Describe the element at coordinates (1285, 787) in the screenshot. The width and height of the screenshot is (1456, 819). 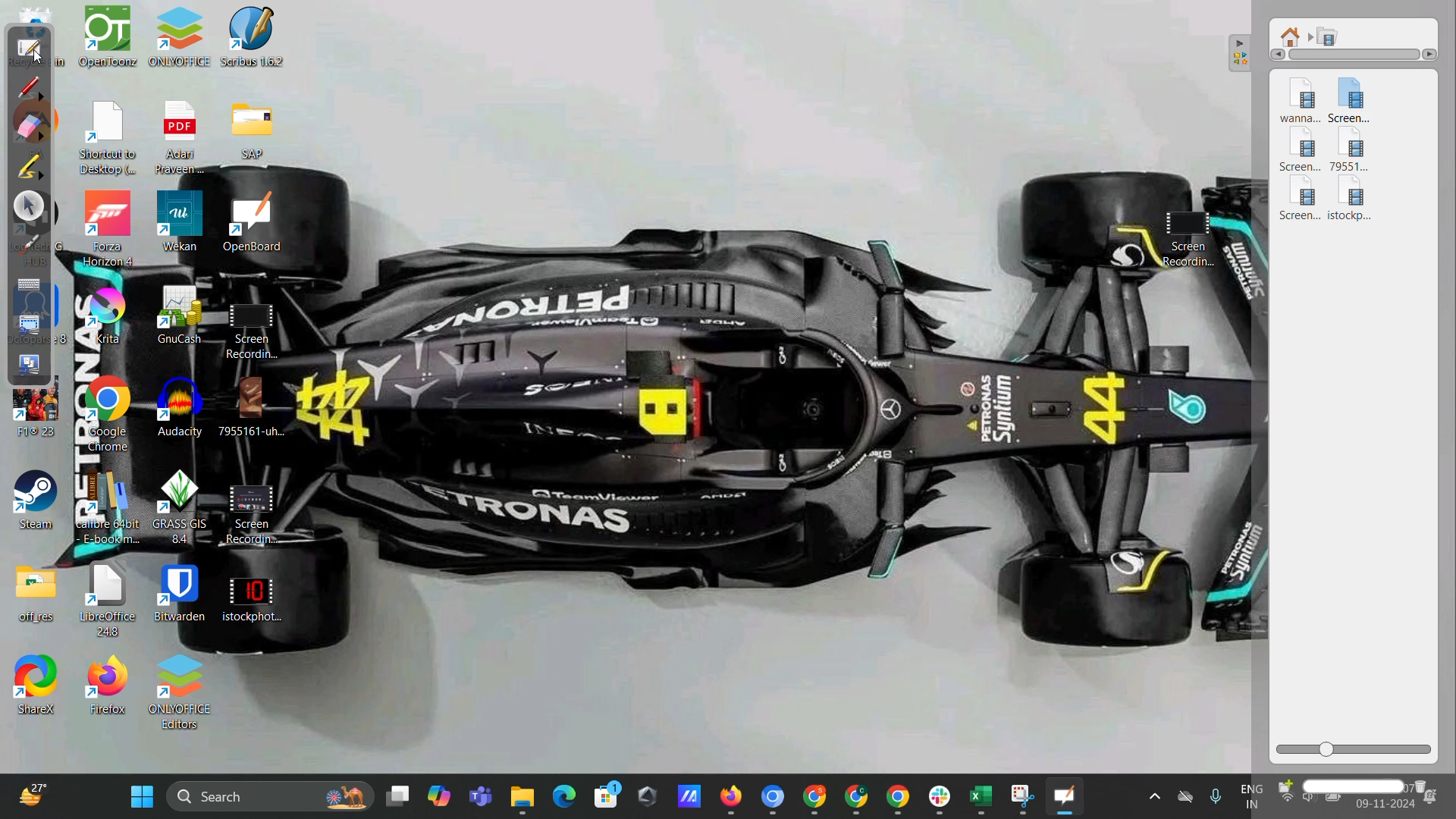
I see `create new folder` at that location.